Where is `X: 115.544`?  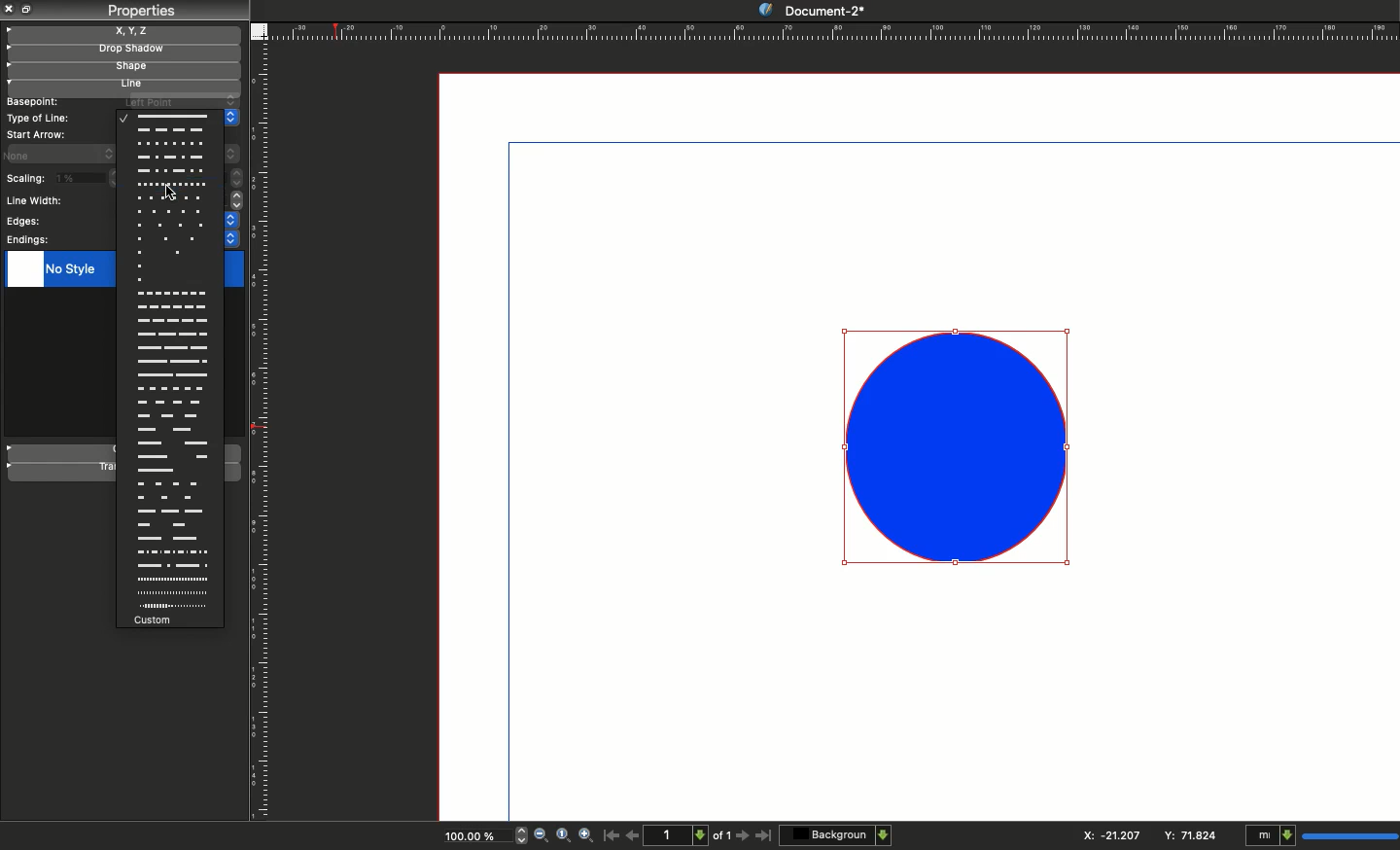 X: 115.544 is located at coordinates (1105, 835).